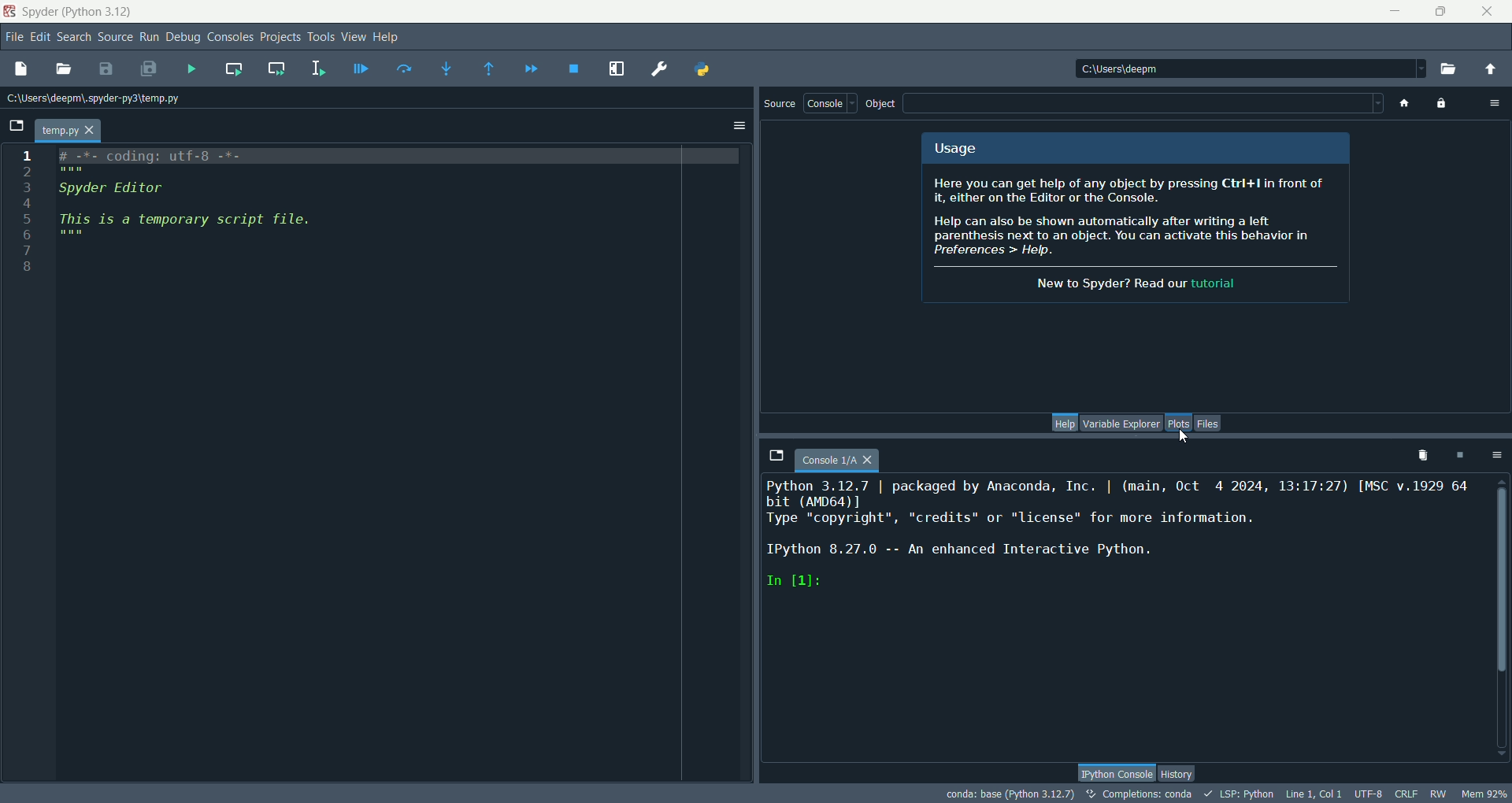 The image size is (1512, 803). What do you see at coordinates (837, 460) in the screenshot?
I see `console` at bounding box center [837, 460].